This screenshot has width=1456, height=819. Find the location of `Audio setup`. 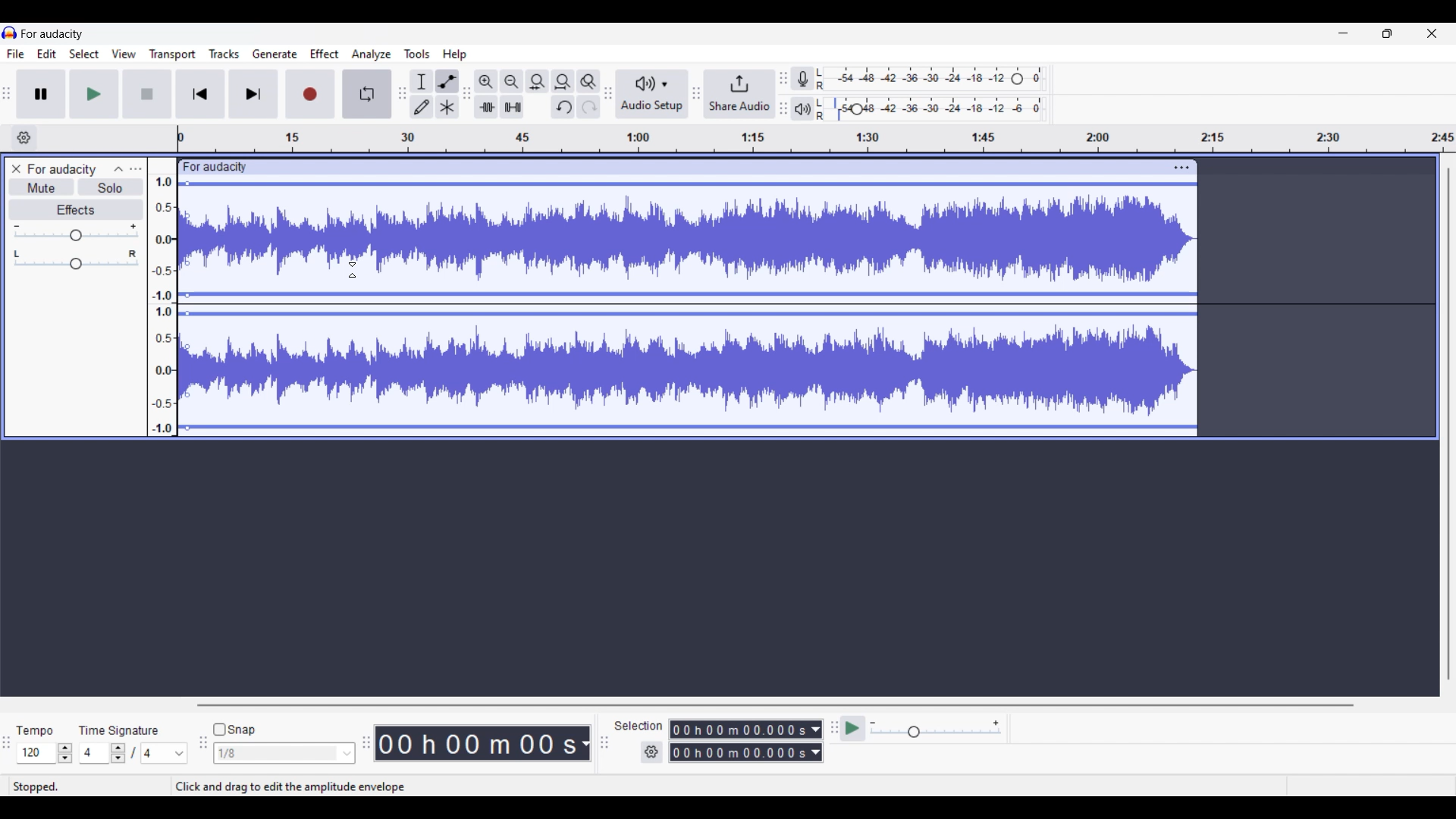

Audio setup is located at coordinates (652, 94).